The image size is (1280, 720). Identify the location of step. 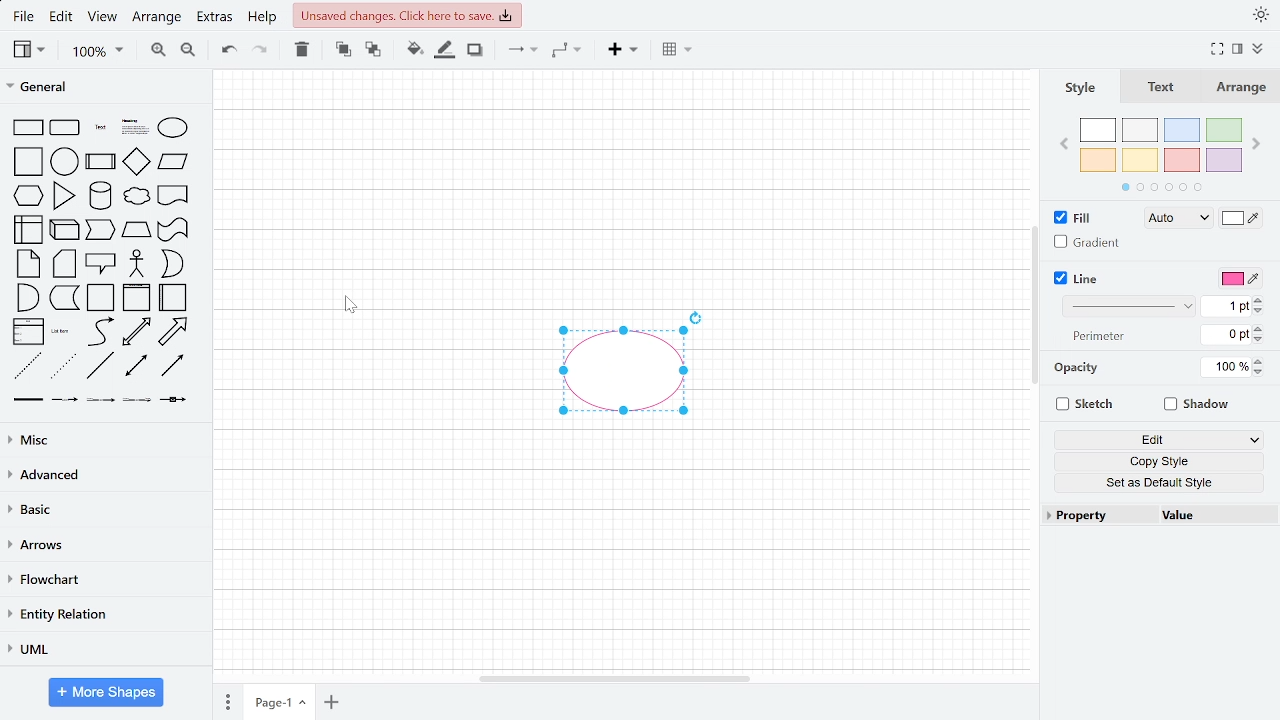
(101, 230).